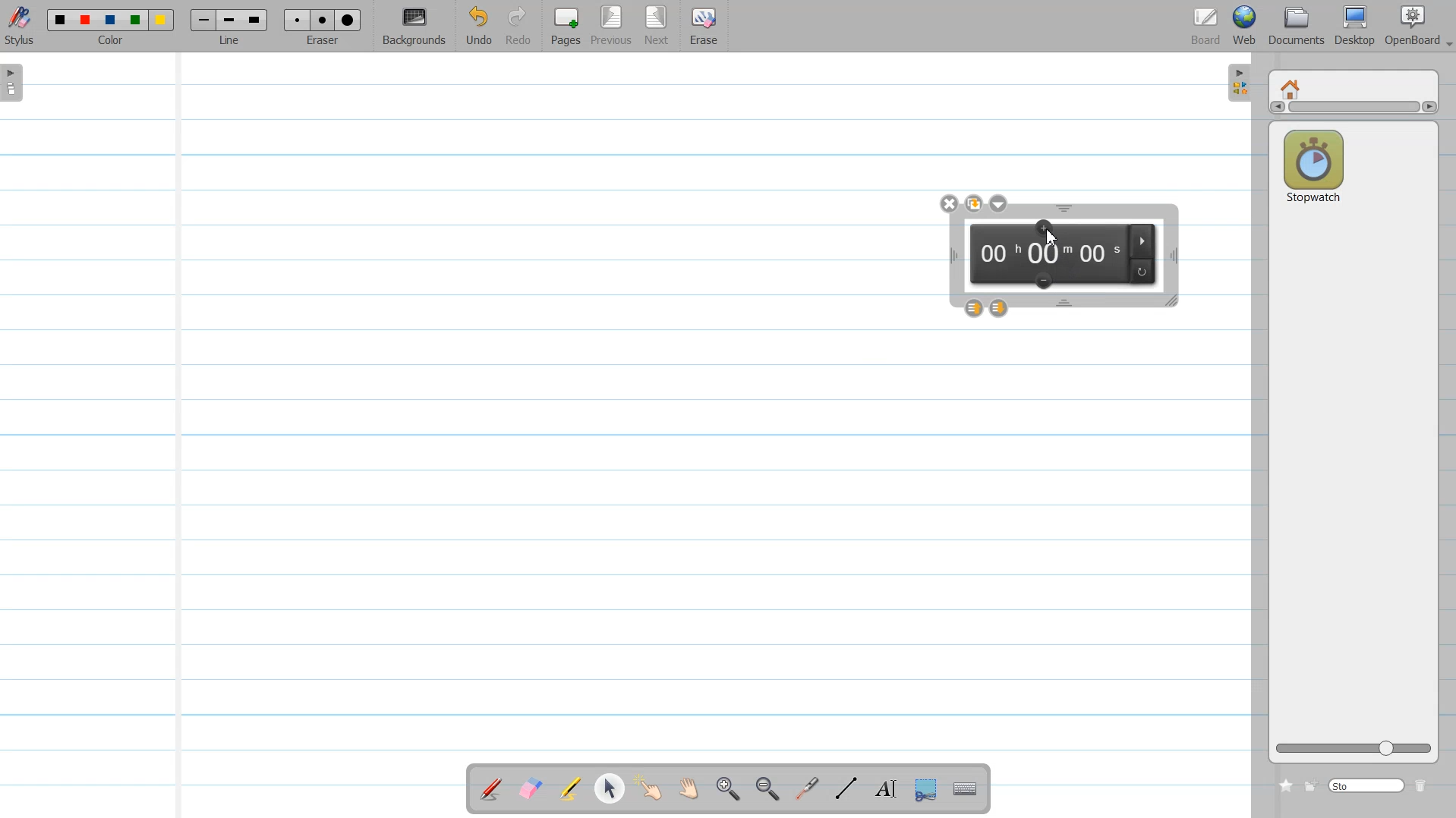 This screenshot has height=818, width=1456. Describe the element at coordinates (1142, 271) in the screenshot. I see `Reset` at that location.